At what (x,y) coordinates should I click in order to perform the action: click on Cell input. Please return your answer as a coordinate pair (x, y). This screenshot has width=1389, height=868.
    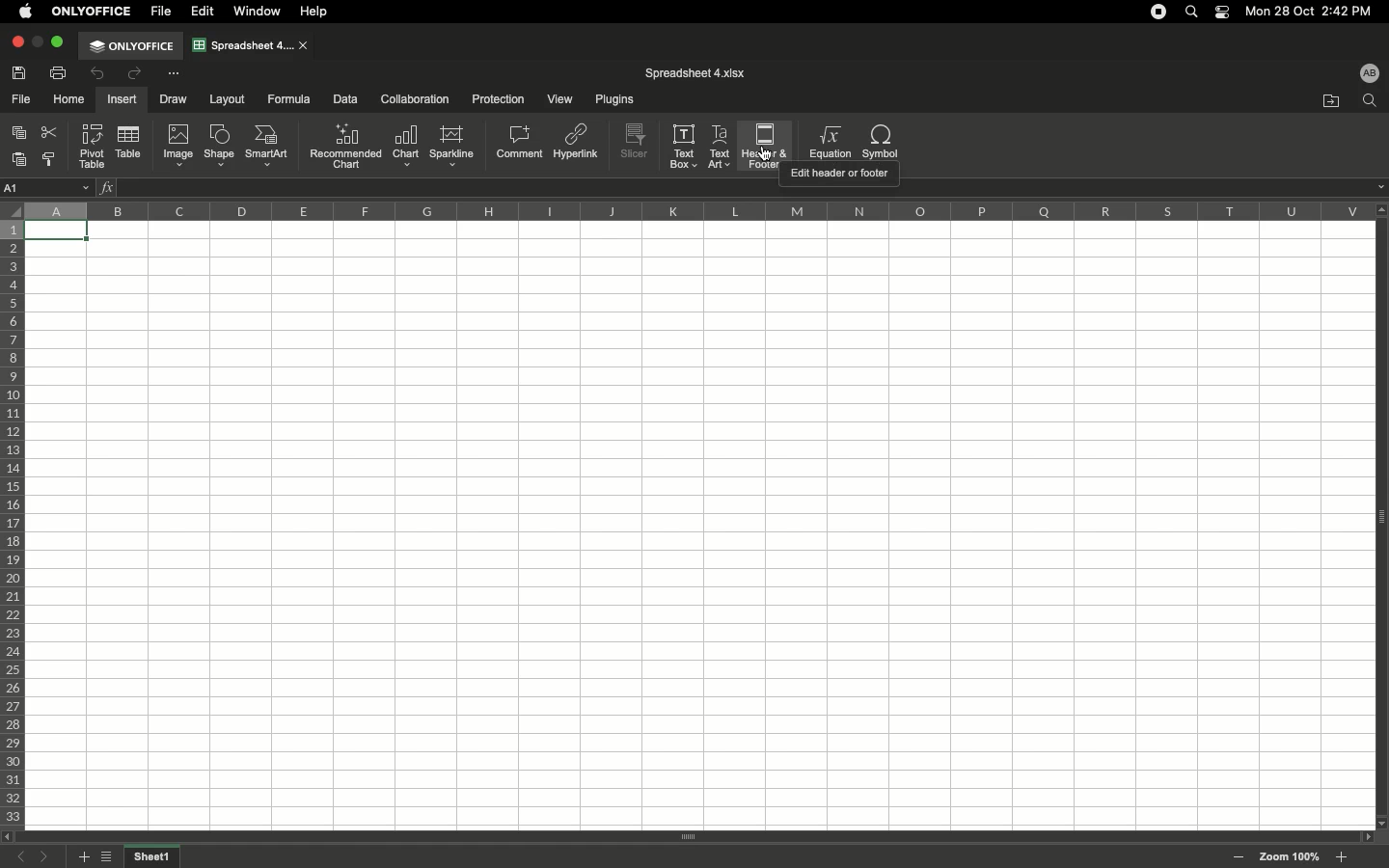
    Looking at the image, I should click on (743, 188).